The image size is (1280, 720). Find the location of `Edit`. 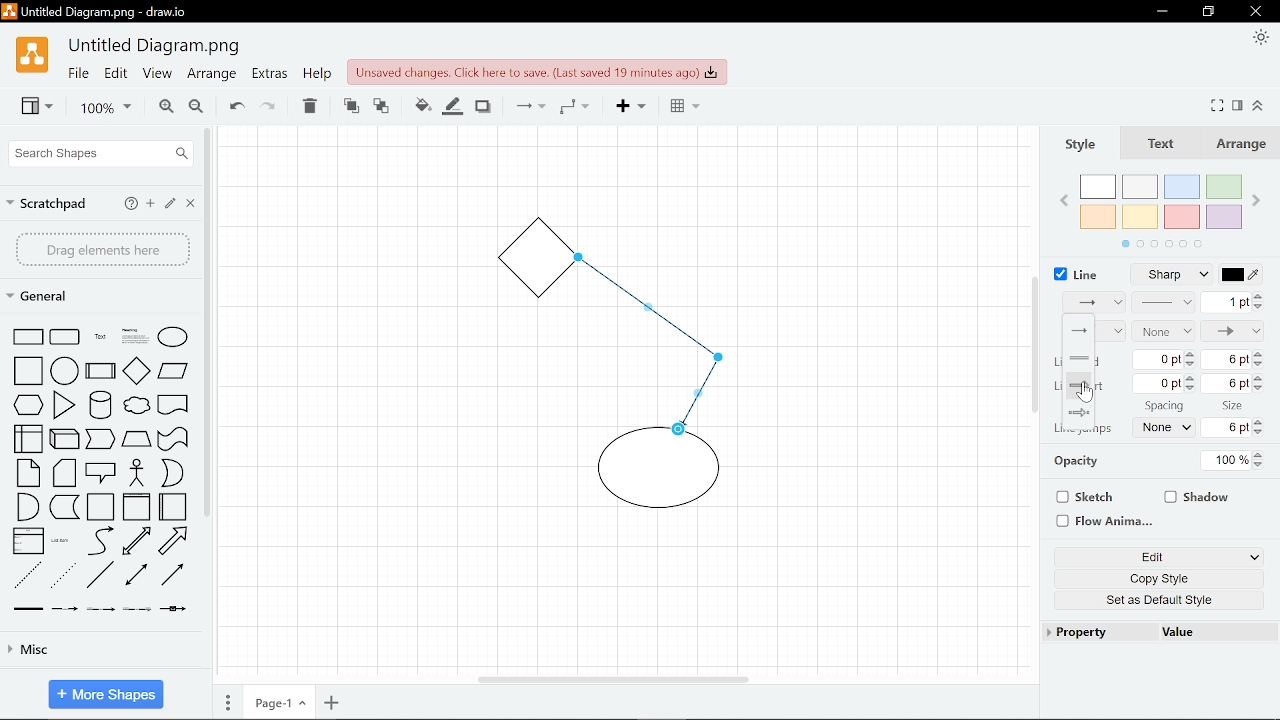

Edit is located at coordinates (116, 76).